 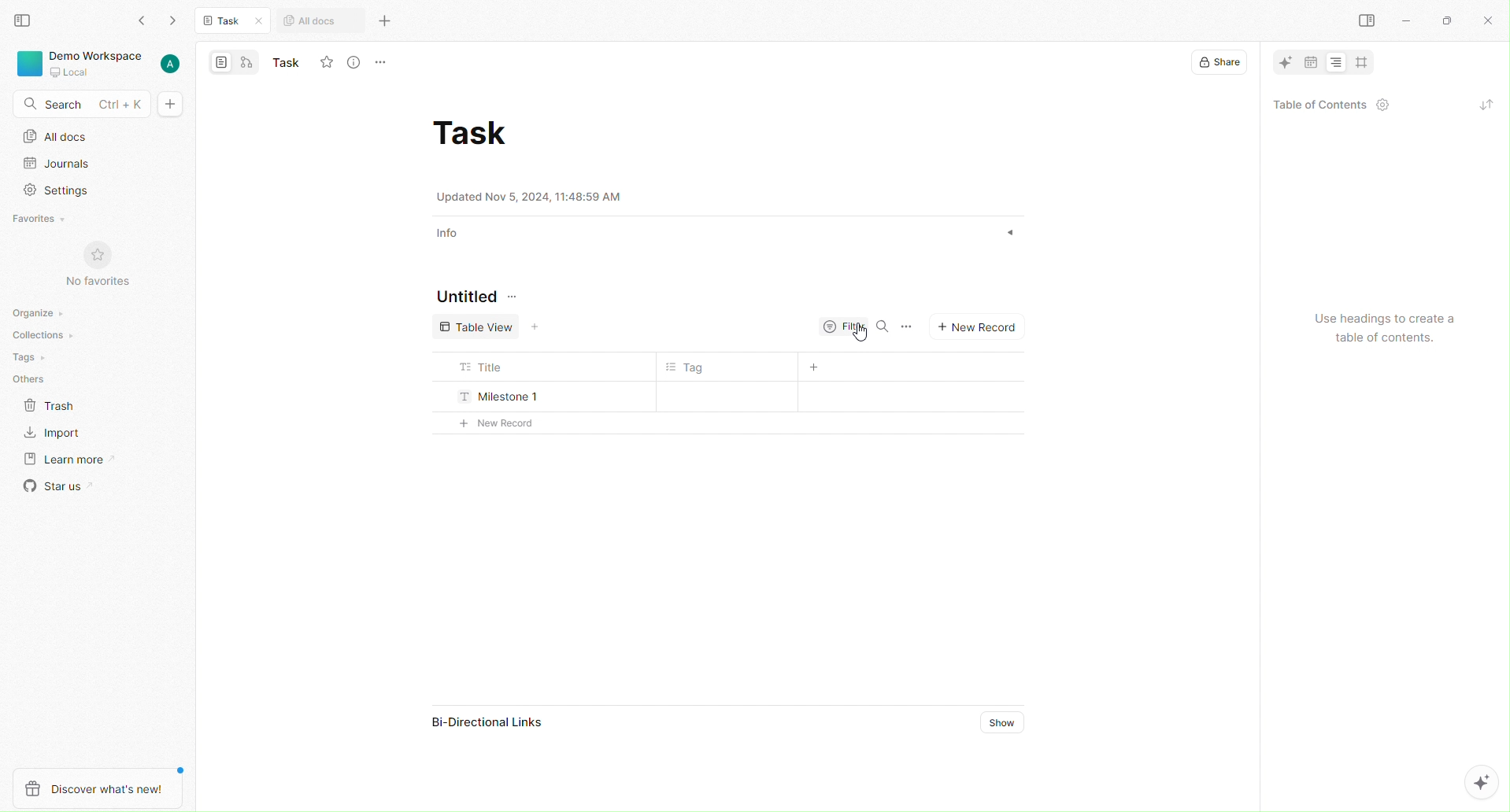 What do you see at coordinates (862, 335) in the screenshot?
I see `Cursor` at bounding box center [862, 335].